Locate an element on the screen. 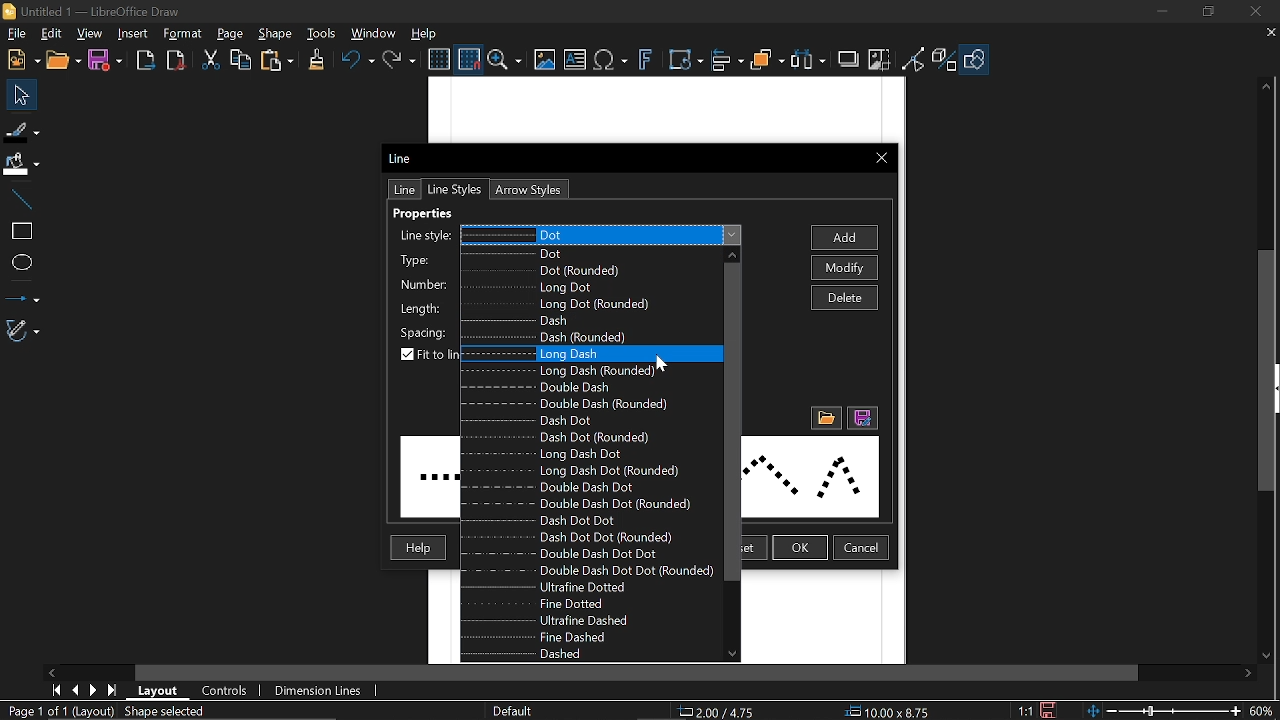 The width and height of the screenshot is (1280, 720). Change zoom is located at coordinates (1159, 711).